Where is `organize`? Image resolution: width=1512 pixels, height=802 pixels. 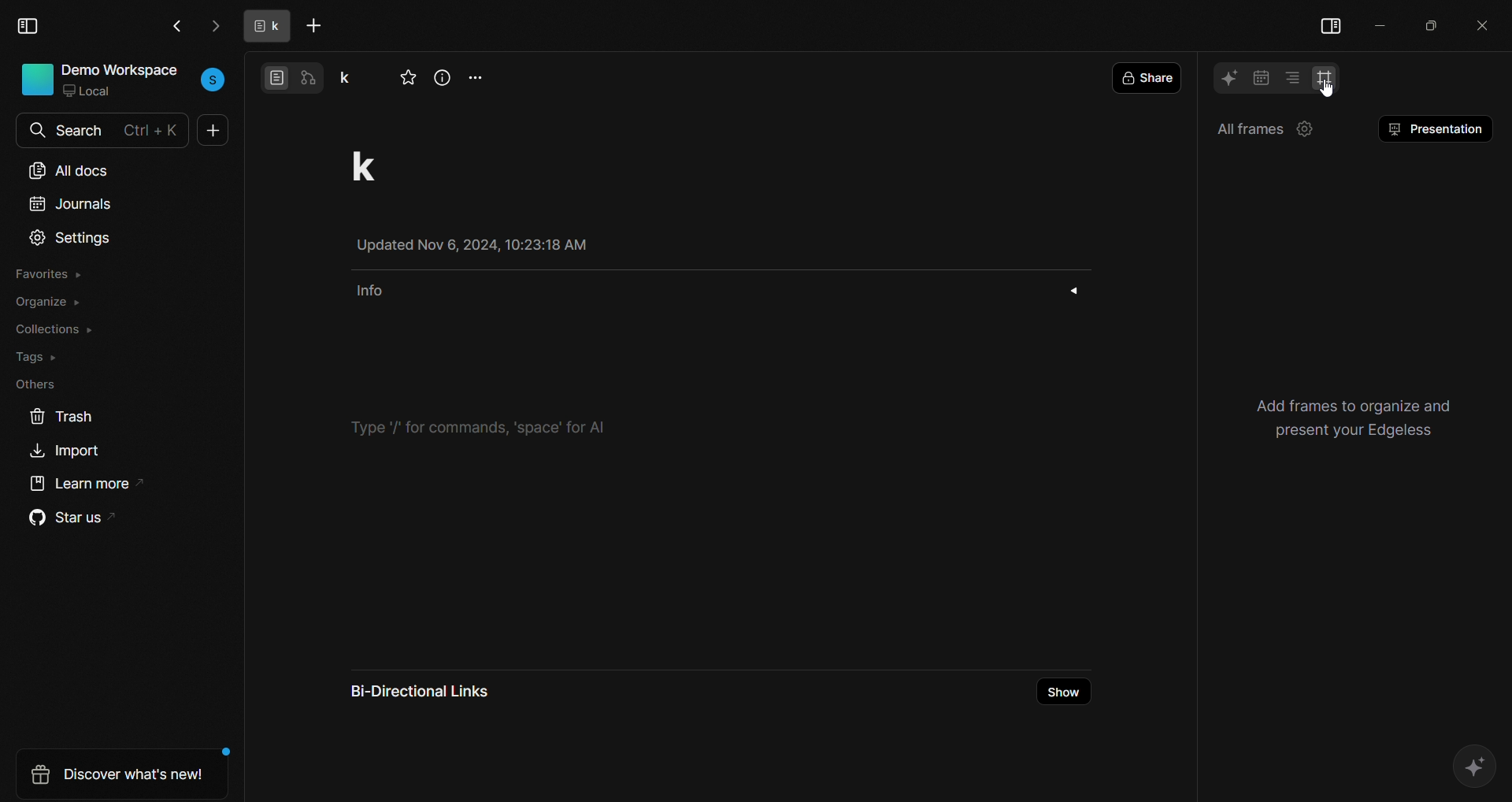
organize is located at coordinates (49, 303).